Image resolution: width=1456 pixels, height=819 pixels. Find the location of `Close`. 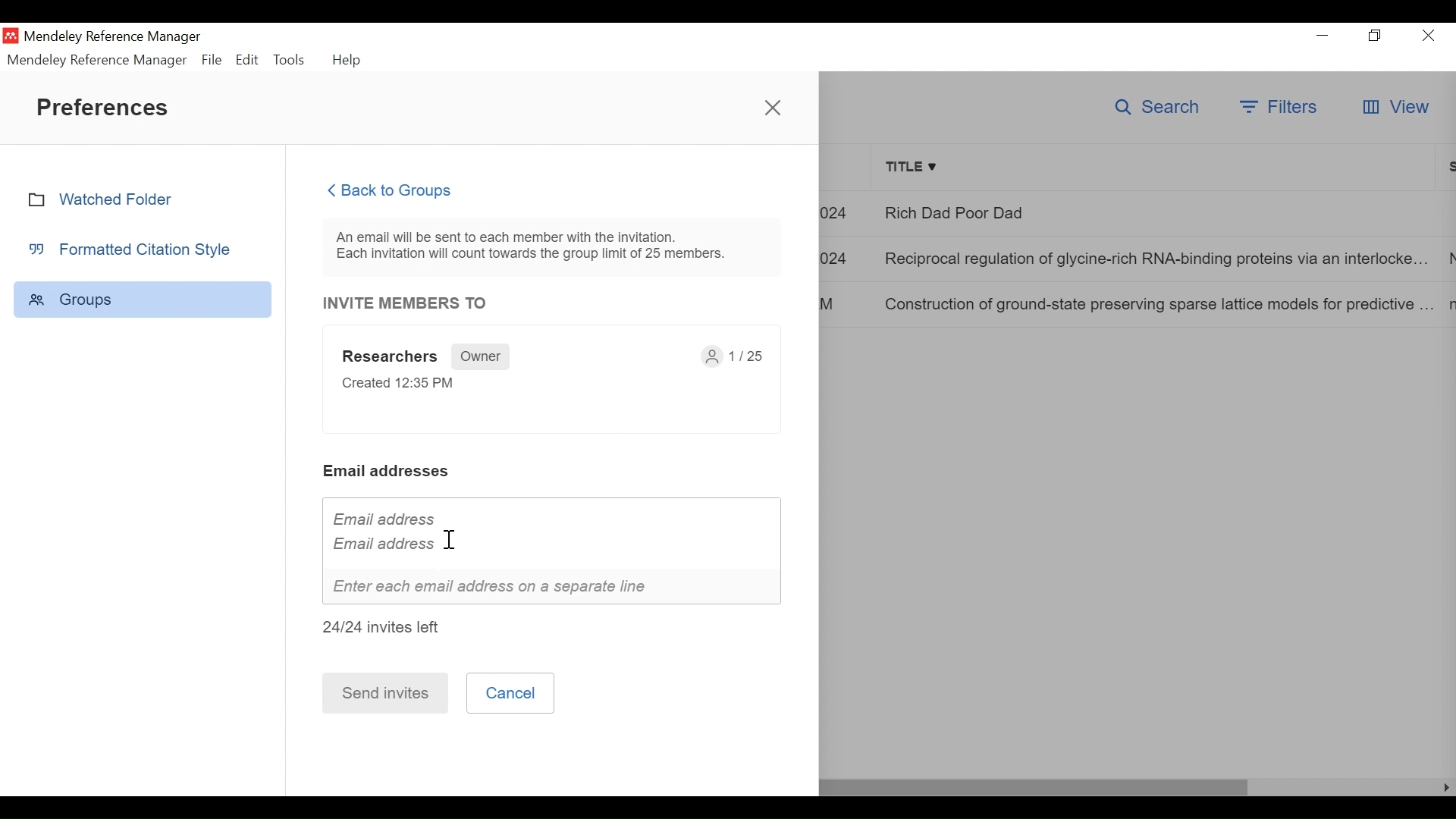

Close is located at coordinates (773, 105).